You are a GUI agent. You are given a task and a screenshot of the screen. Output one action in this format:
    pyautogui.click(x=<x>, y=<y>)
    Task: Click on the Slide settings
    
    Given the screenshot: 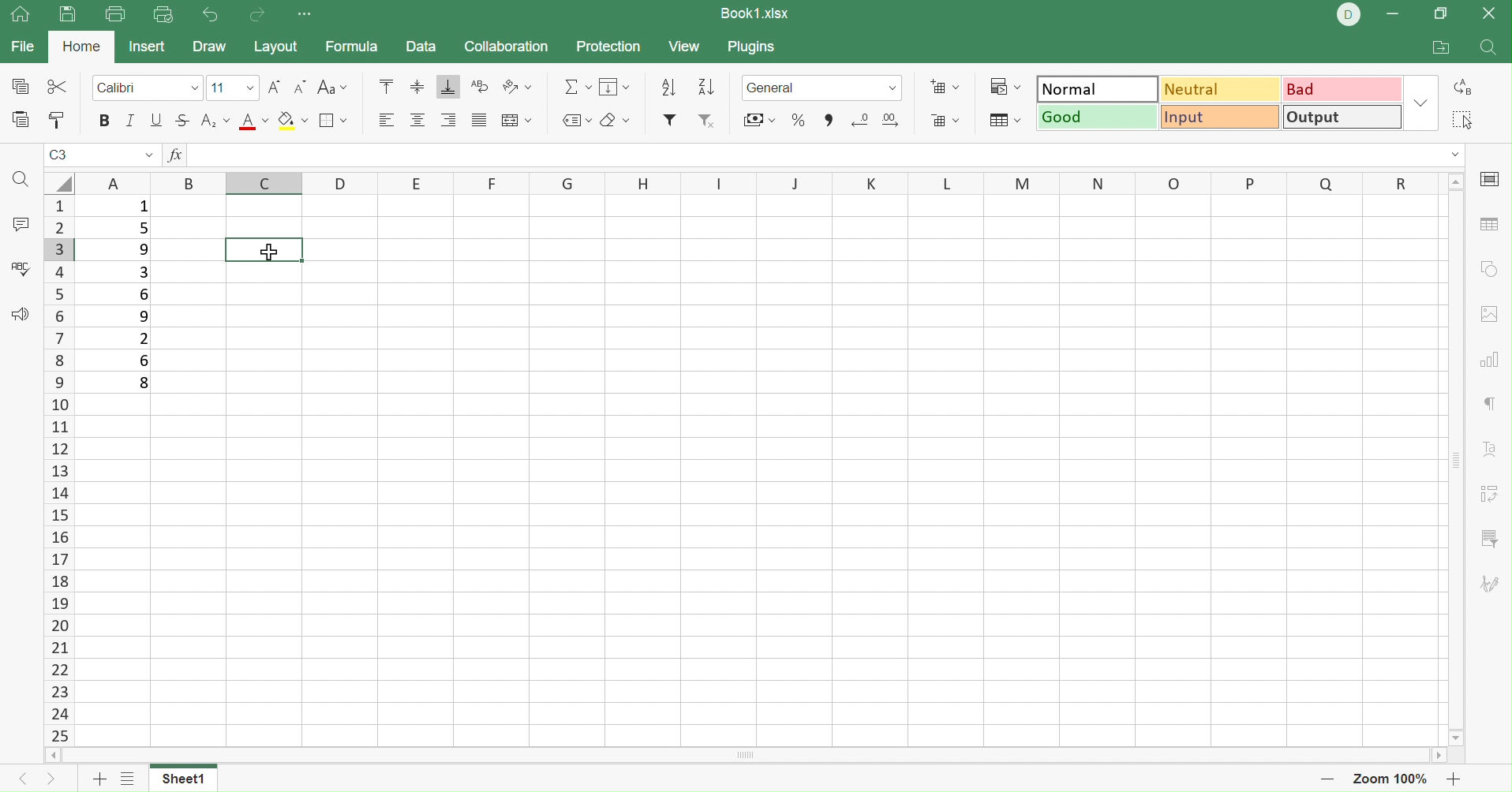 What is the action you would take?
    pyautogui.click(x=1491, y=179)
    